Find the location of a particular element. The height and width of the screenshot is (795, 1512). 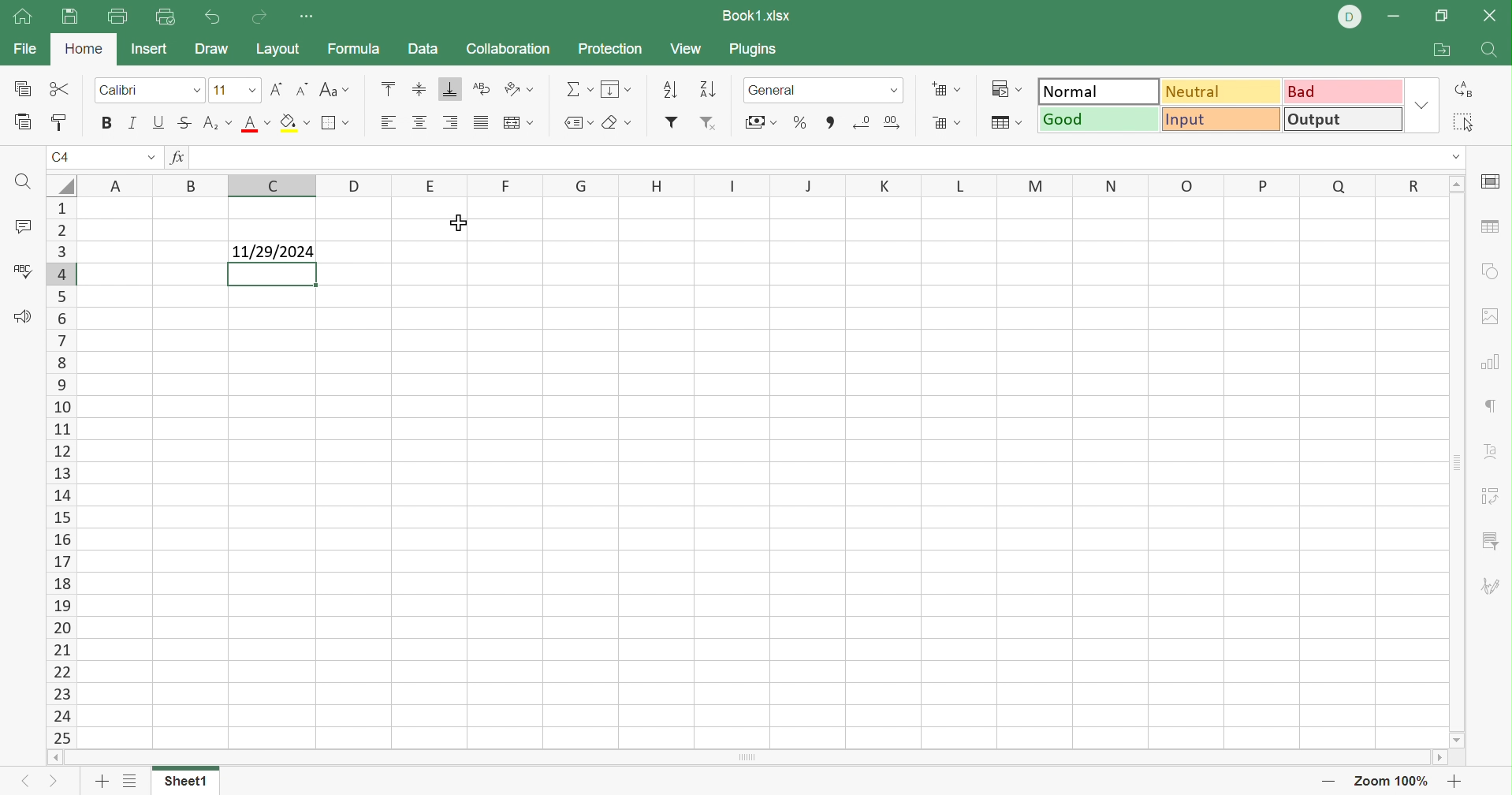

Layout is located at coordinates (279, 50).